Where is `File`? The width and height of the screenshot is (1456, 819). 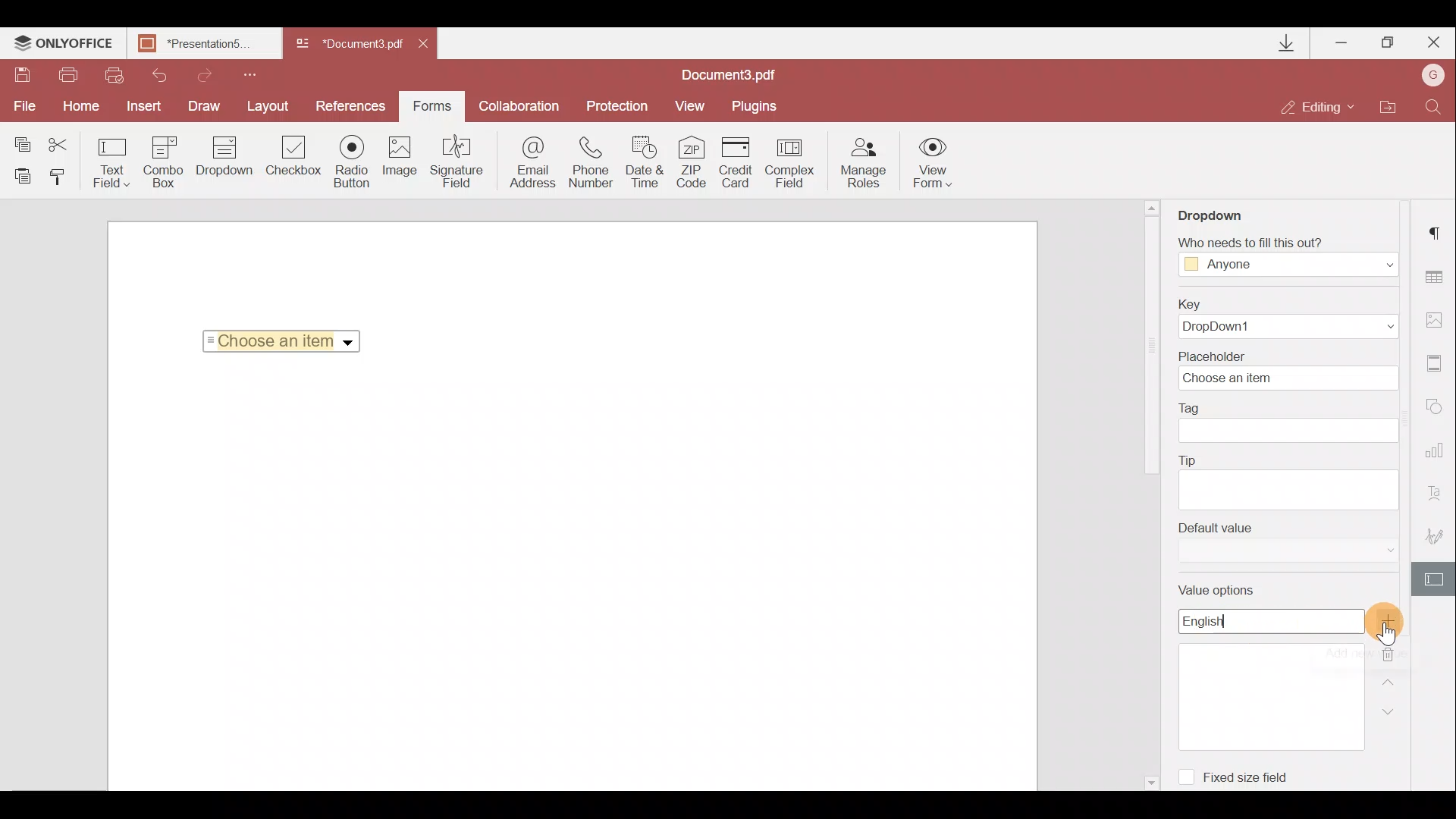
File is located at coordinates (23, 106).